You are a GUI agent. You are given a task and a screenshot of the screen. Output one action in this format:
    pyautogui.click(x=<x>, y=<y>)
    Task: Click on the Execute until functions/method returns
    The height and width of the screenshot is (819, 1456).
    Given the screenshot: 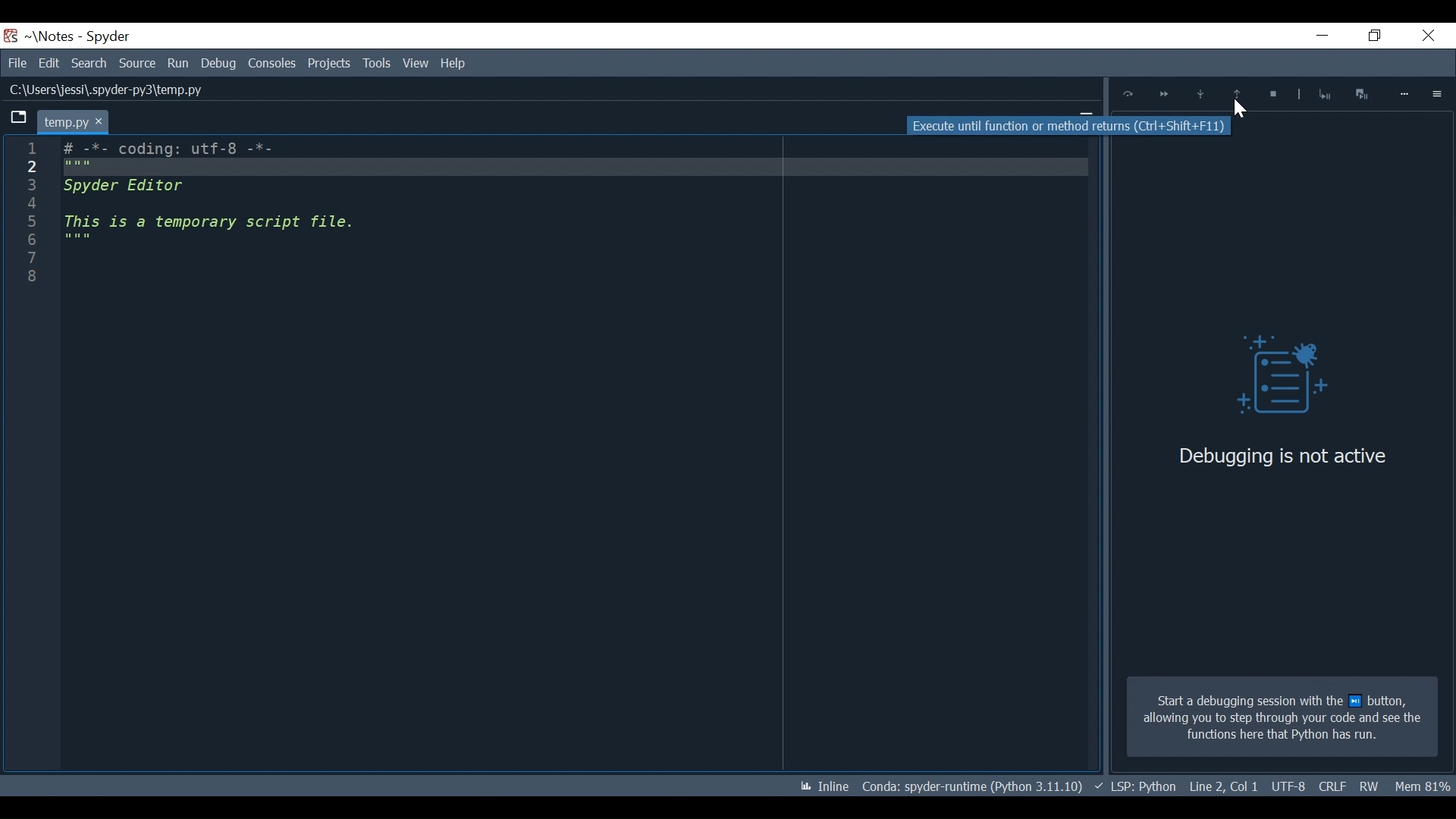 What is the action you would take?
    pyautogui.click(x=1238, y=96)
    